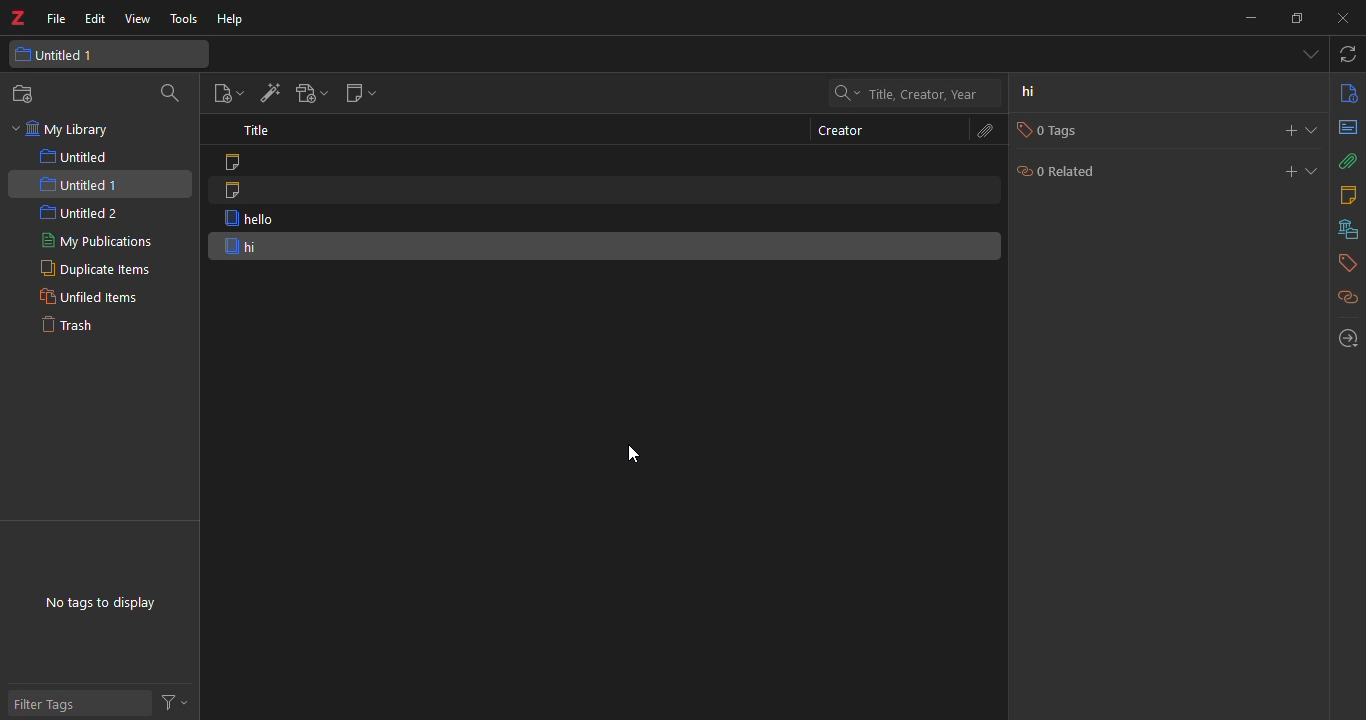 The height and width of the screenshot is (720, 1366). I want to click on creator, so click(840, 130).